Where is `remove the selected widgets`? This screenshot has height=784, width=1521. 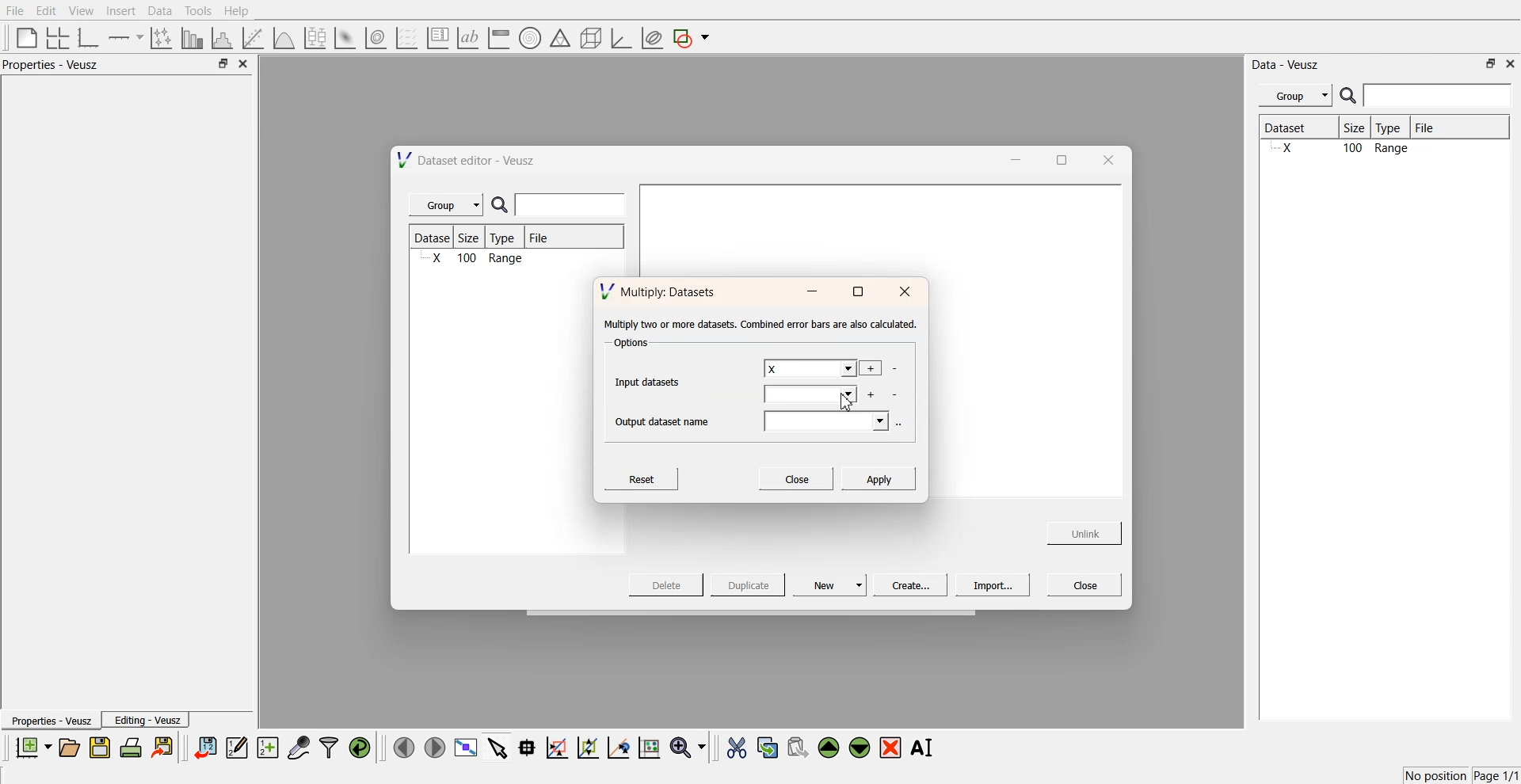 remove the selected widgets is located at coordinates (892, 748).